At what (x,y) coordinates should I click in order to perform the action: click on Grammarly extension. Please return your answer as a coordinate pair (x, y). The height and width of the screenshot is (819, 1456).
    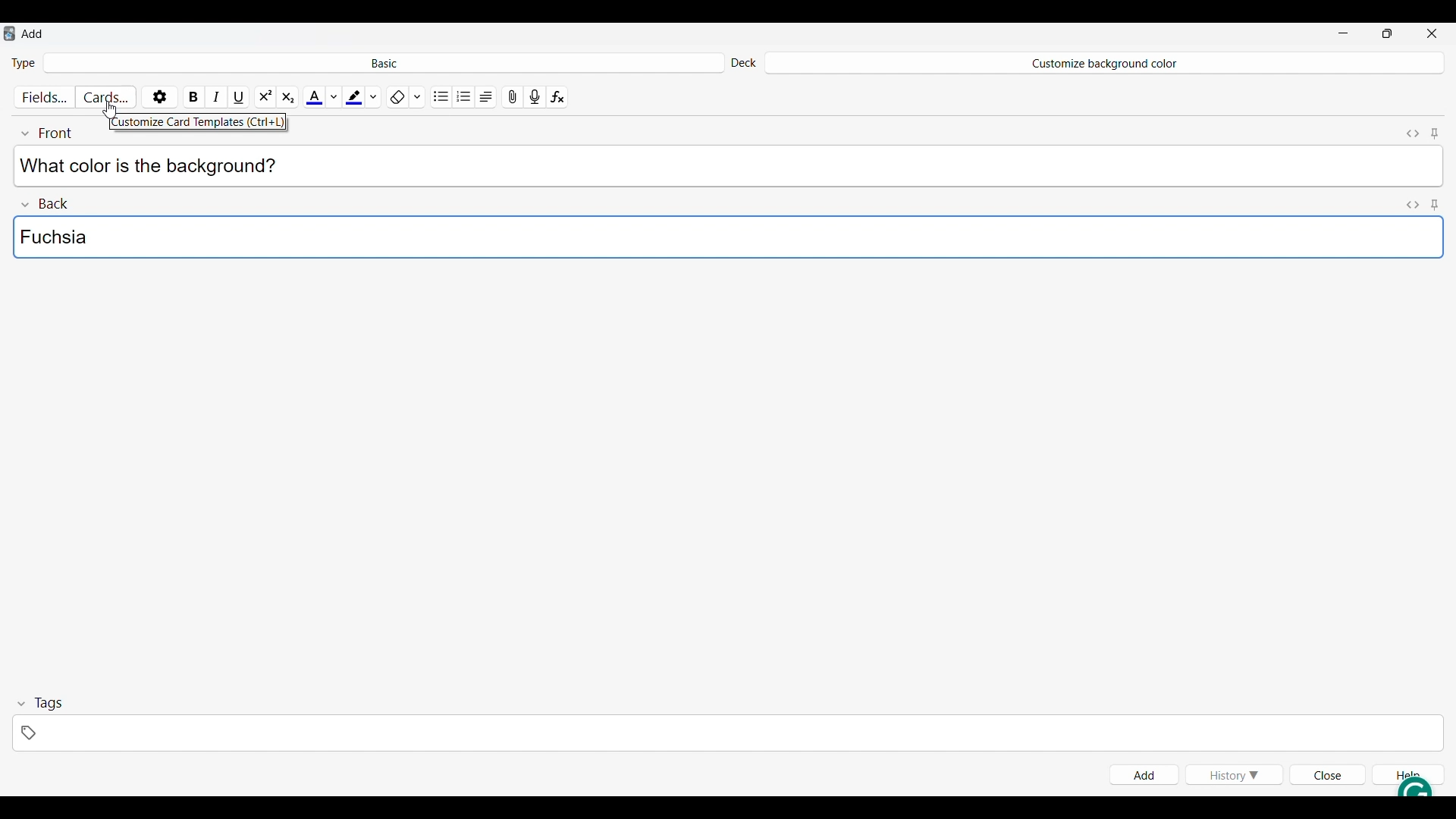
    Looking at the image, I should click on (1401, 786).